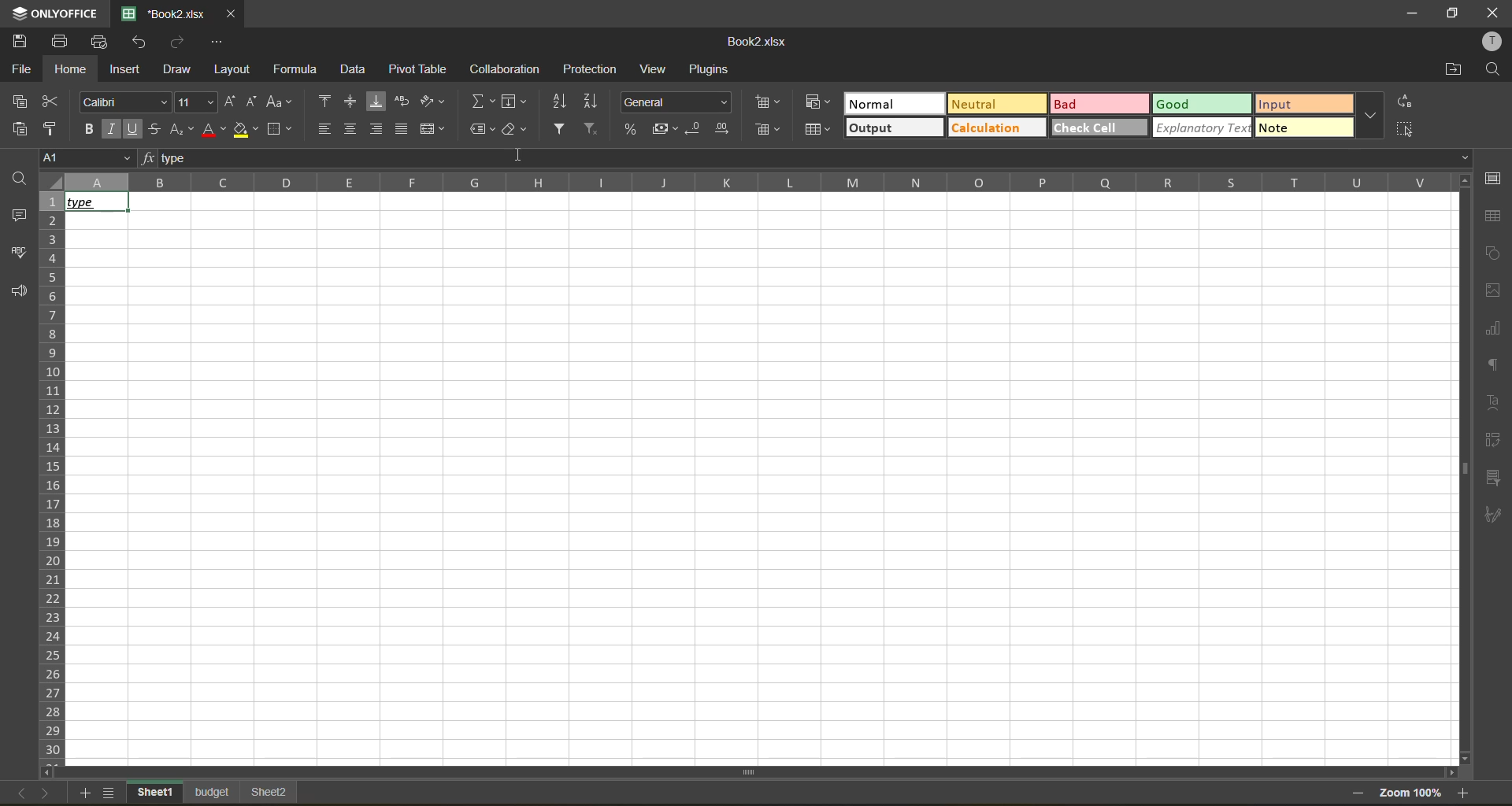 The image size is (1512, 806). Describe the element at coordinates (1407, 102) in the screenshot. I see `replace` at that location.